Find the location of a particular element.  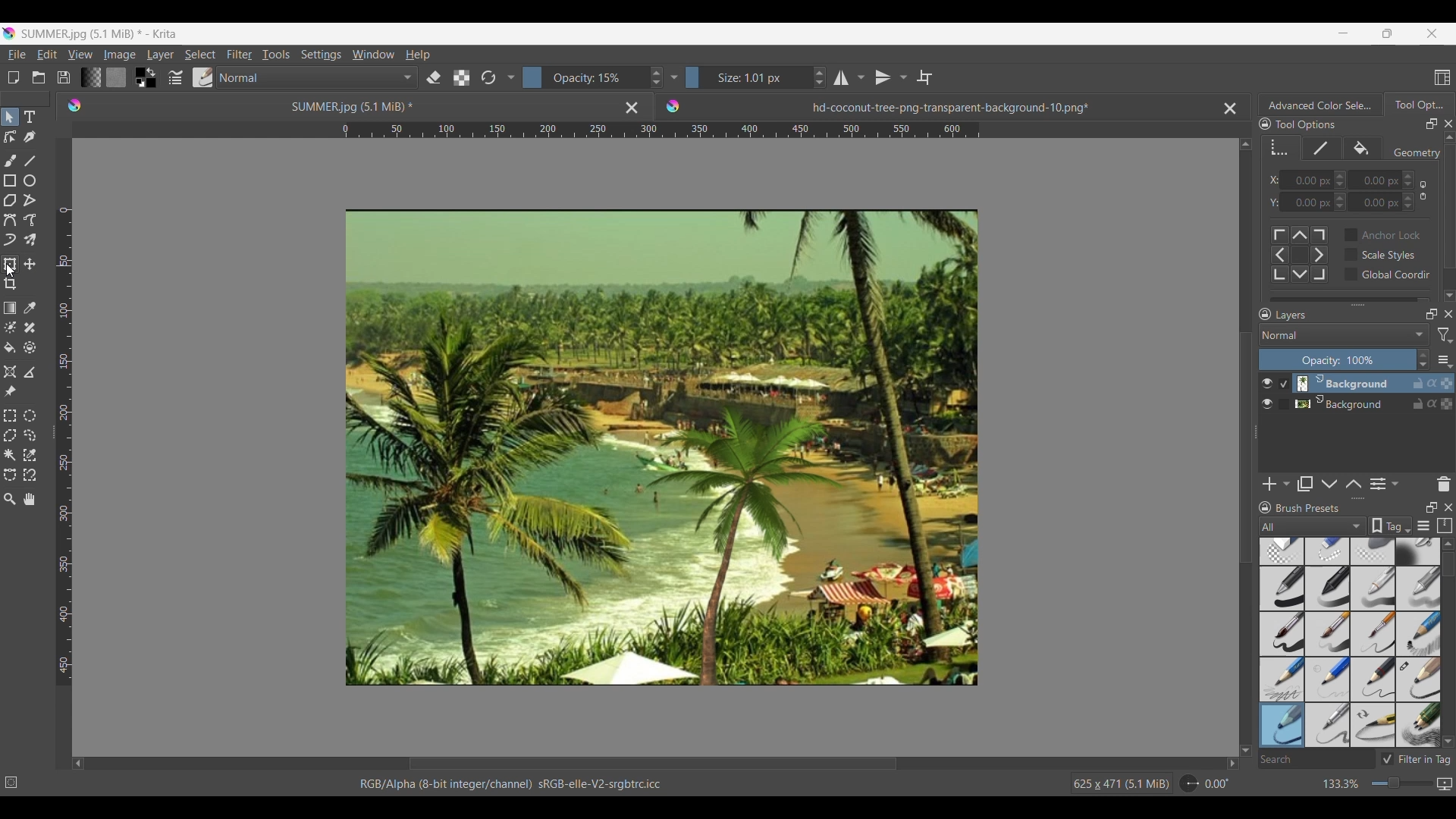

Line tool is located at coordinates (29, 161).